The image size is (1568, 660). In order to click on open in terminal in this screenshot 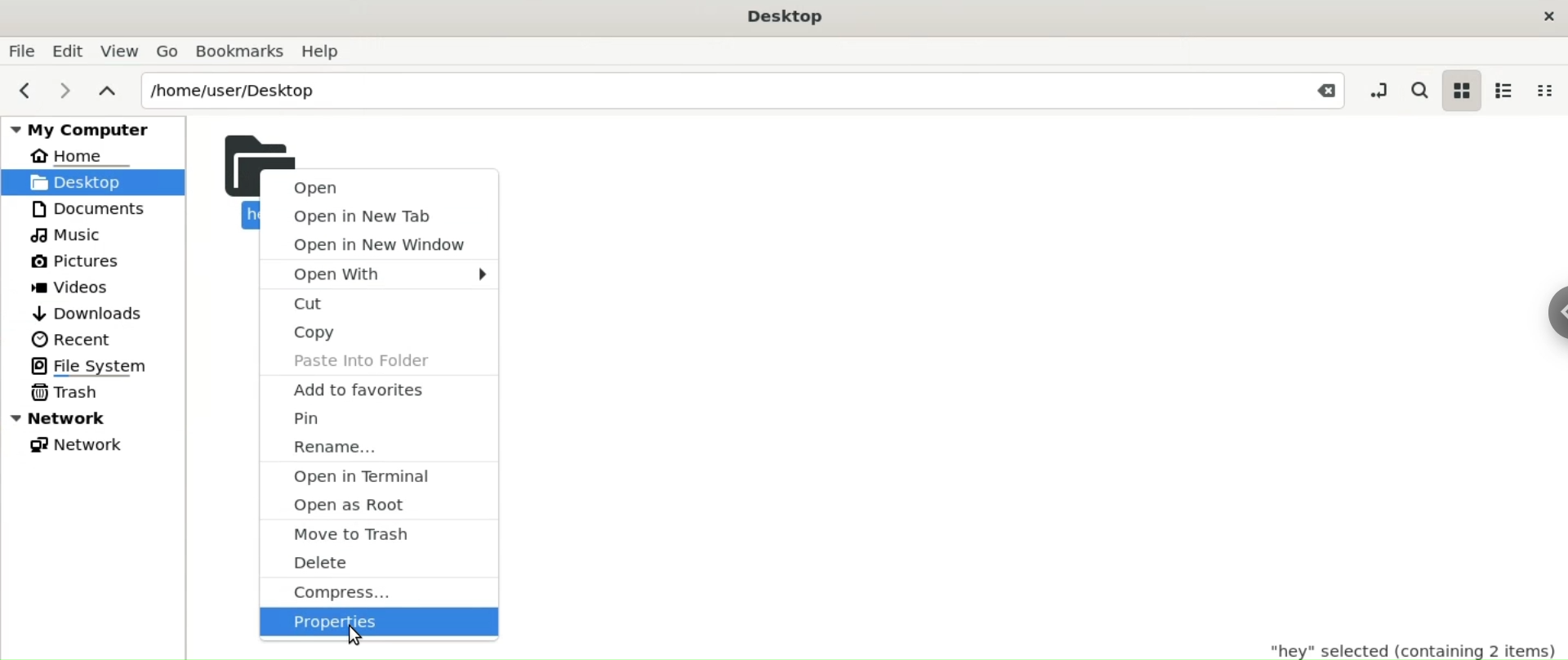, I will do `click(377, 476)`.